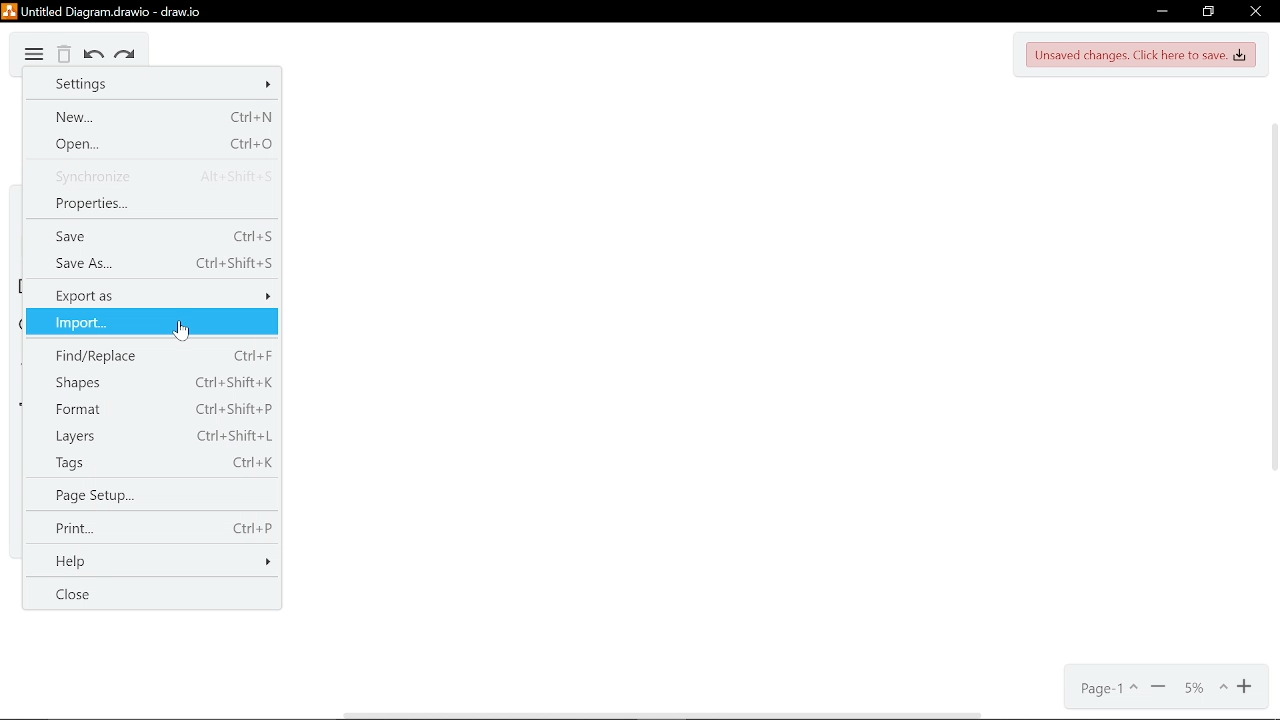  Describe the element at coordinates (157, 83) in the screenshot. I see `Settings` at that location.